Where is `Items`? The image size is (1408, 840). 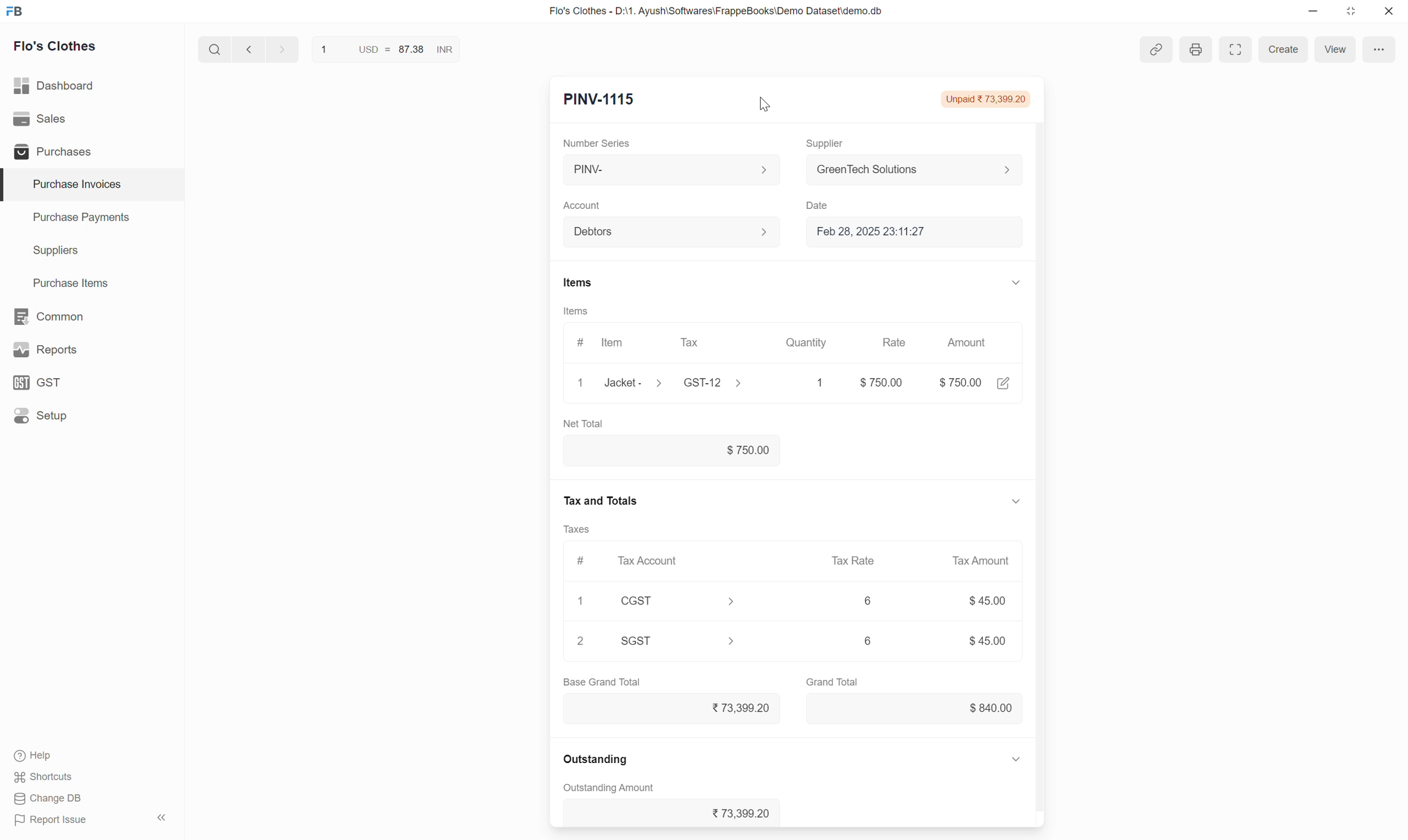 Items is located at coordinates (579, 282).